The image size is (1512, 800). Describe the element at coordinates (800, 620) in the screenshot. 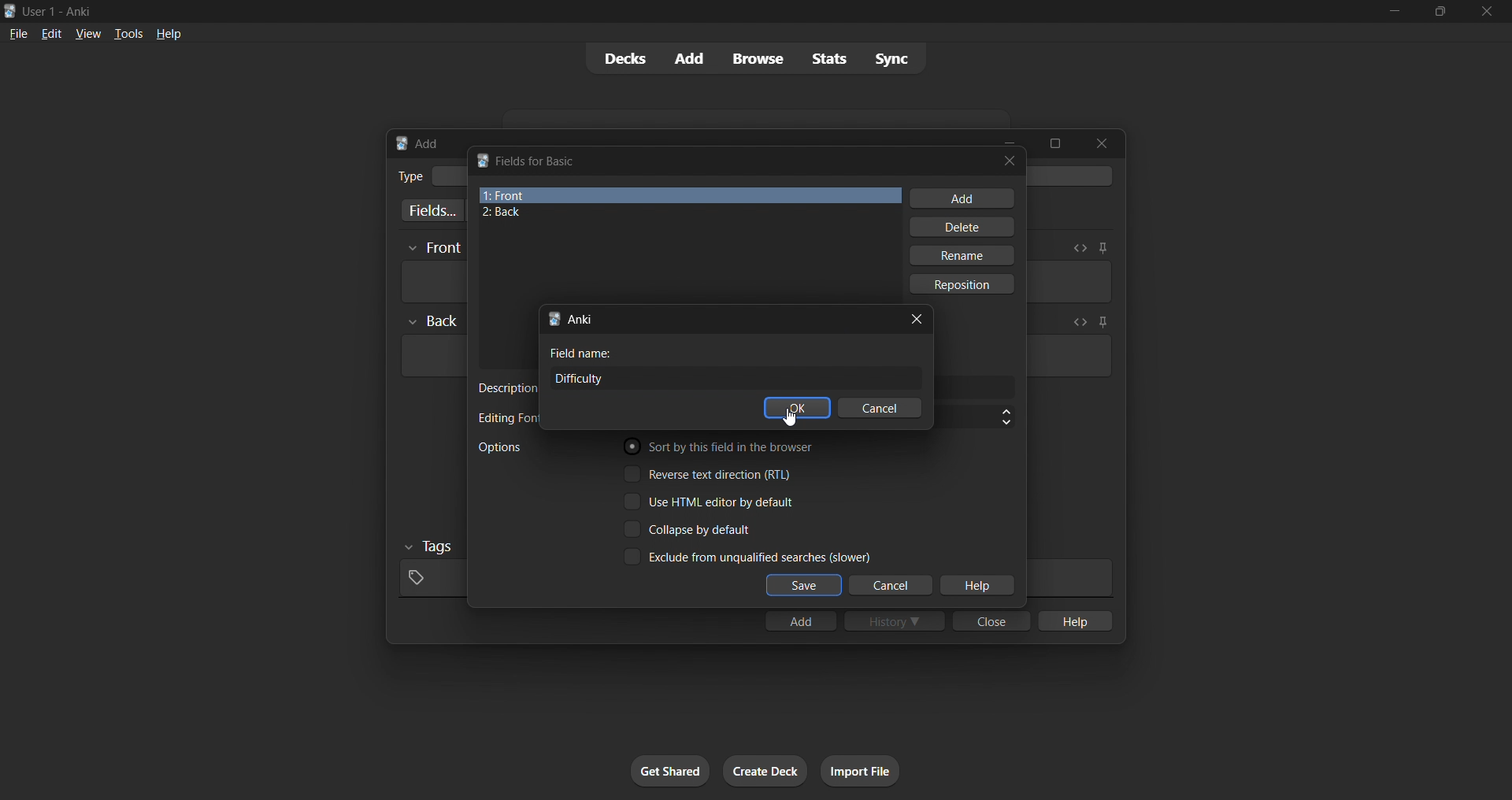

I see `add` at that location.